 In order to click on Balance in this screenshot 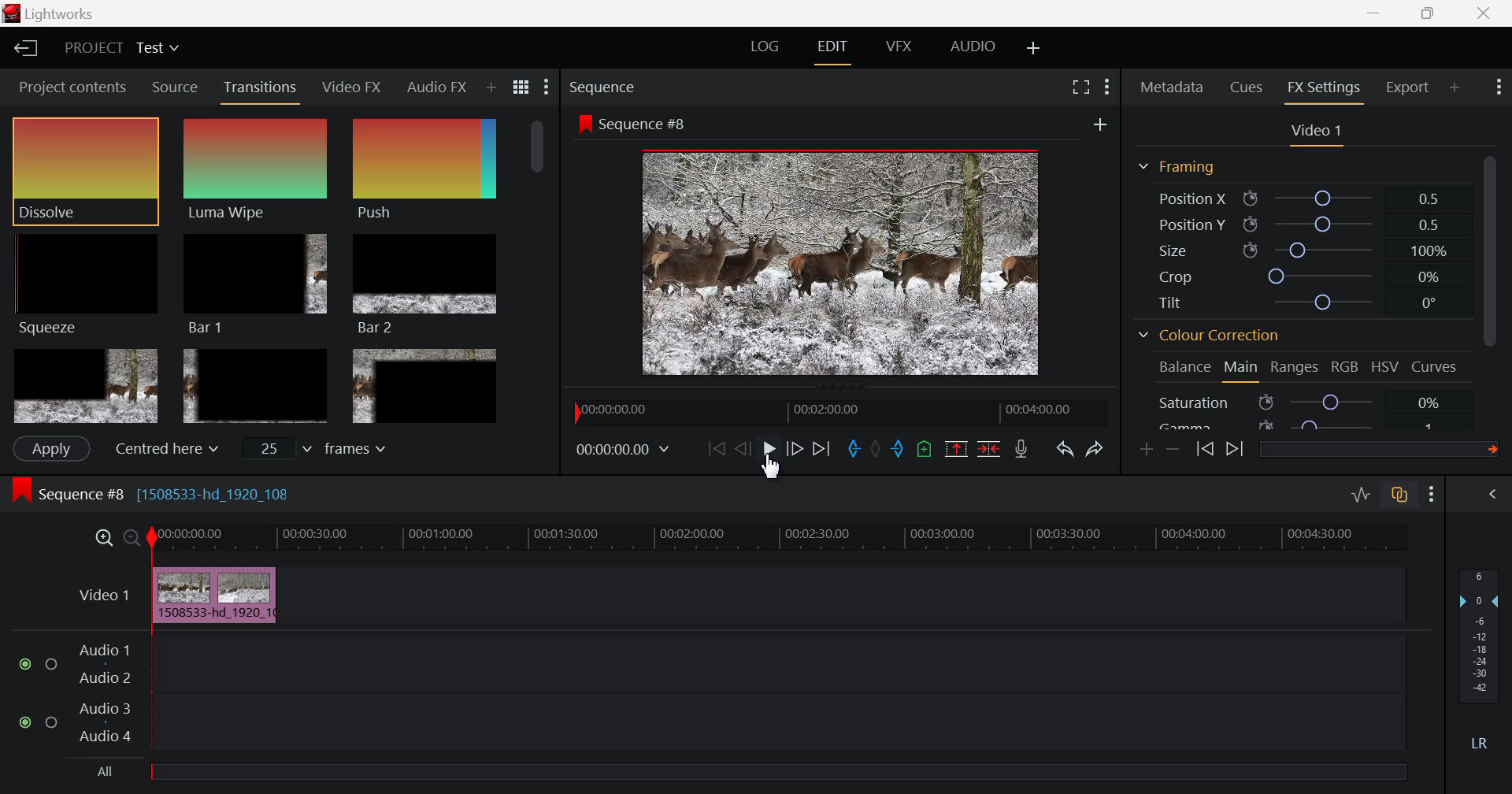, I will do `click(1185, 368)`.